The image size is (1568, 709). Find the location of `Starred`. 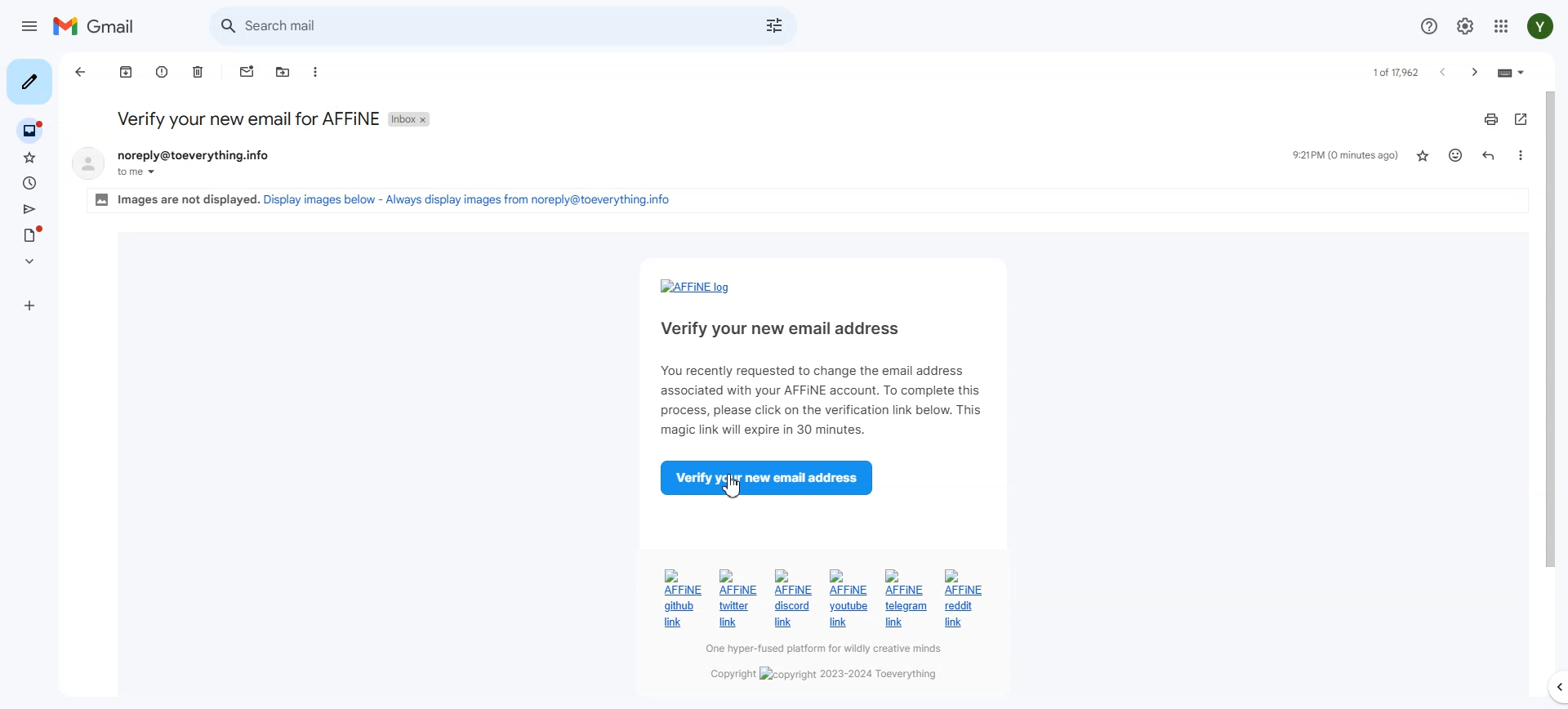

Starred is located at coordinates (29, 158).